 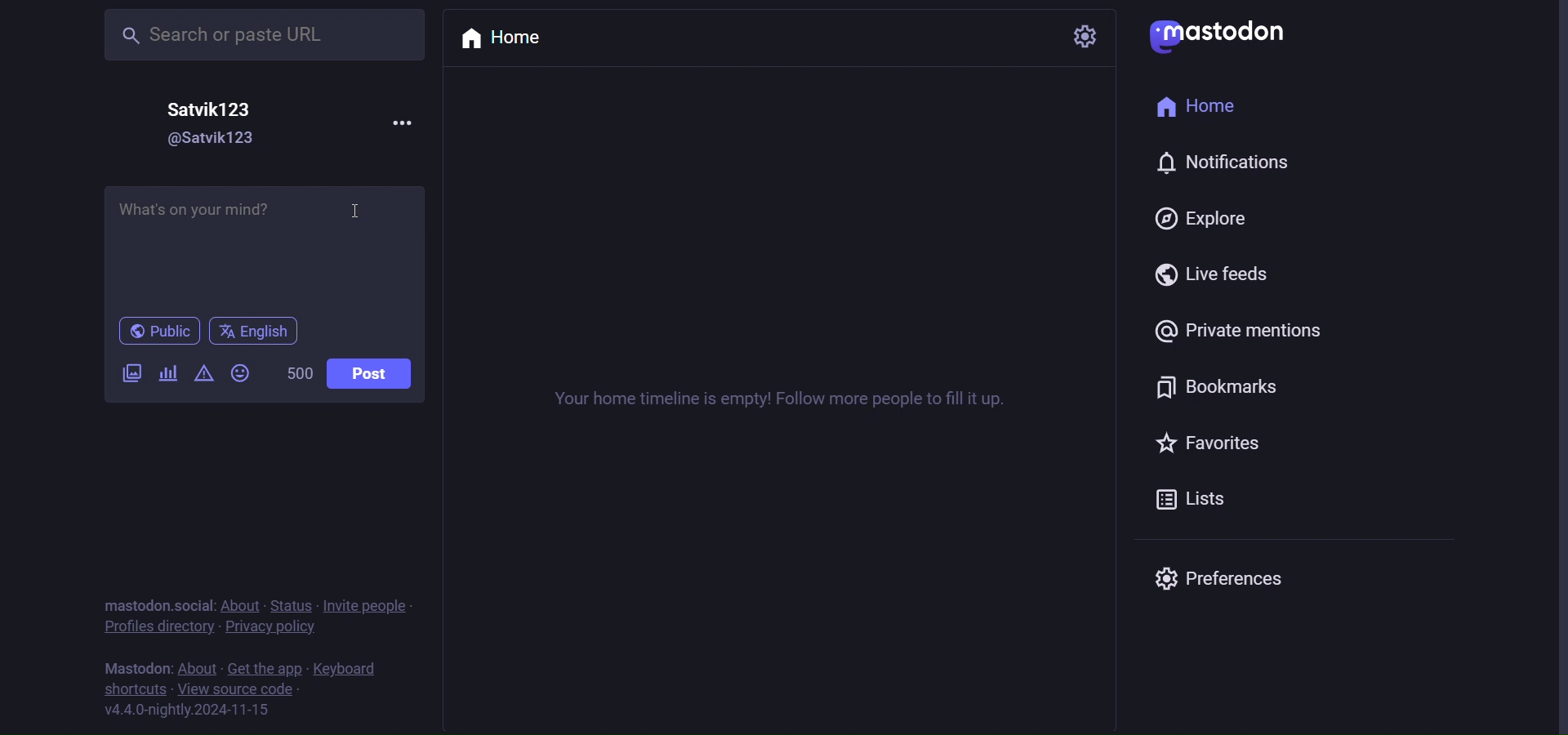 I want to click on text, so click(x=133, y=669).